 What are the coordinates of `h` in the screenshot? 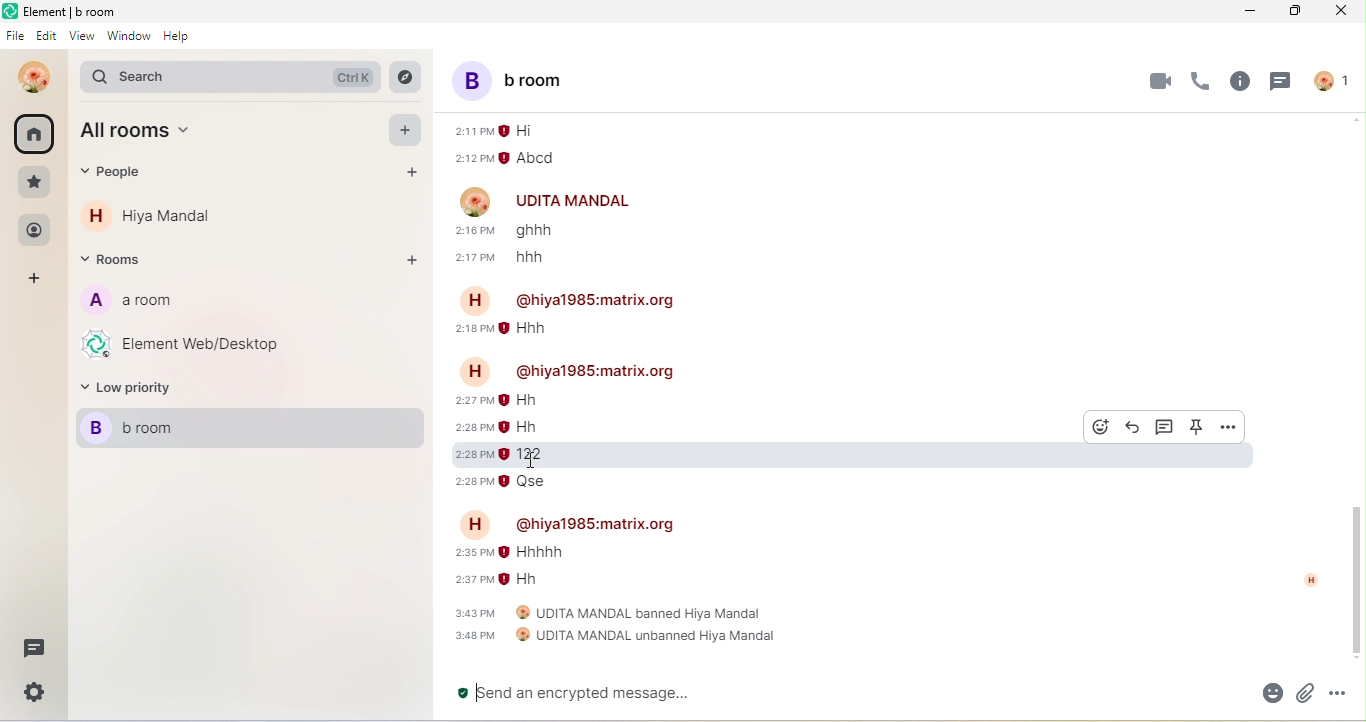 It's located at (1305, 579).